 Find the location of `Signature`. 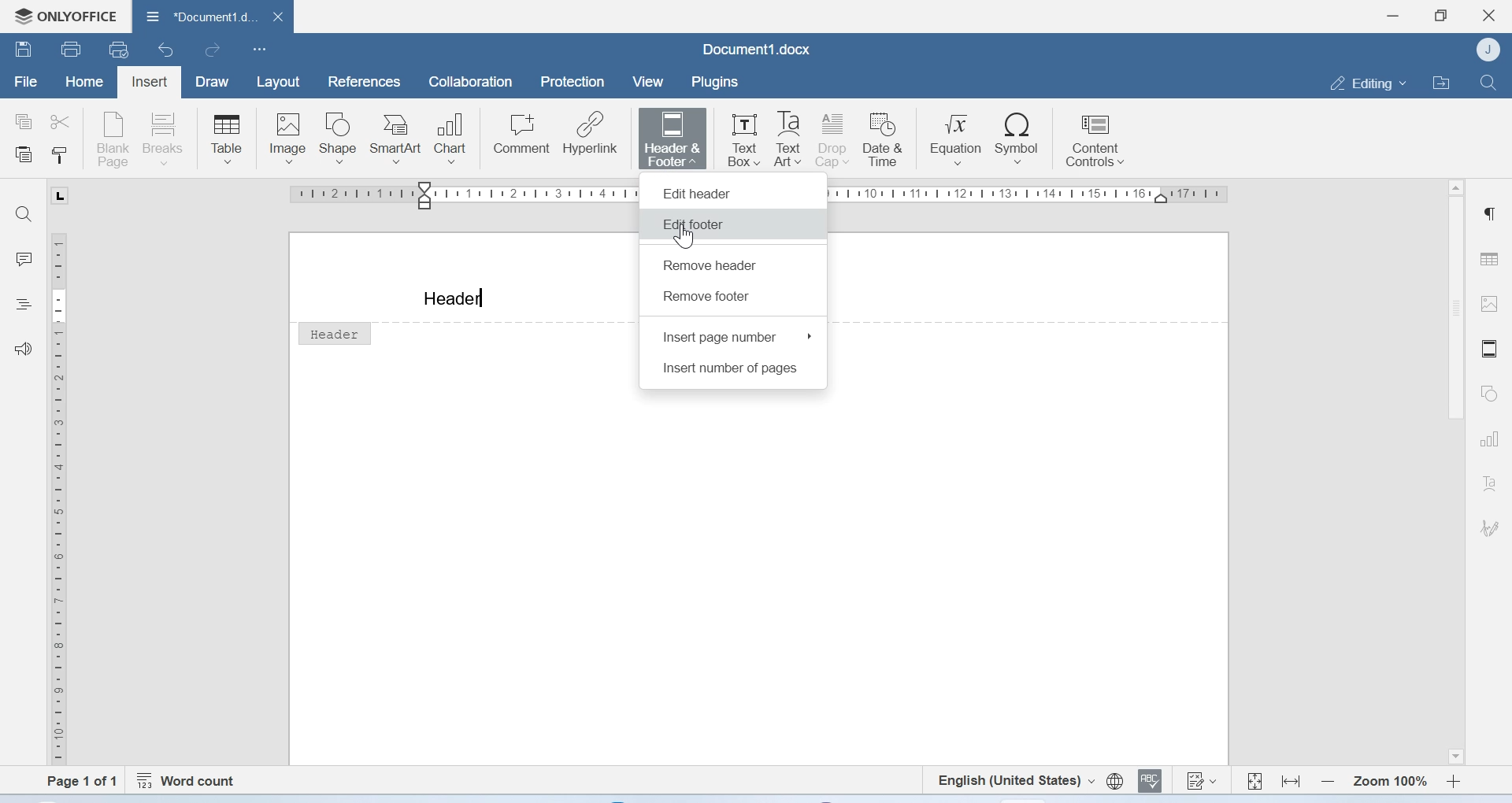

Signature is located at coordinates (1488, 526).